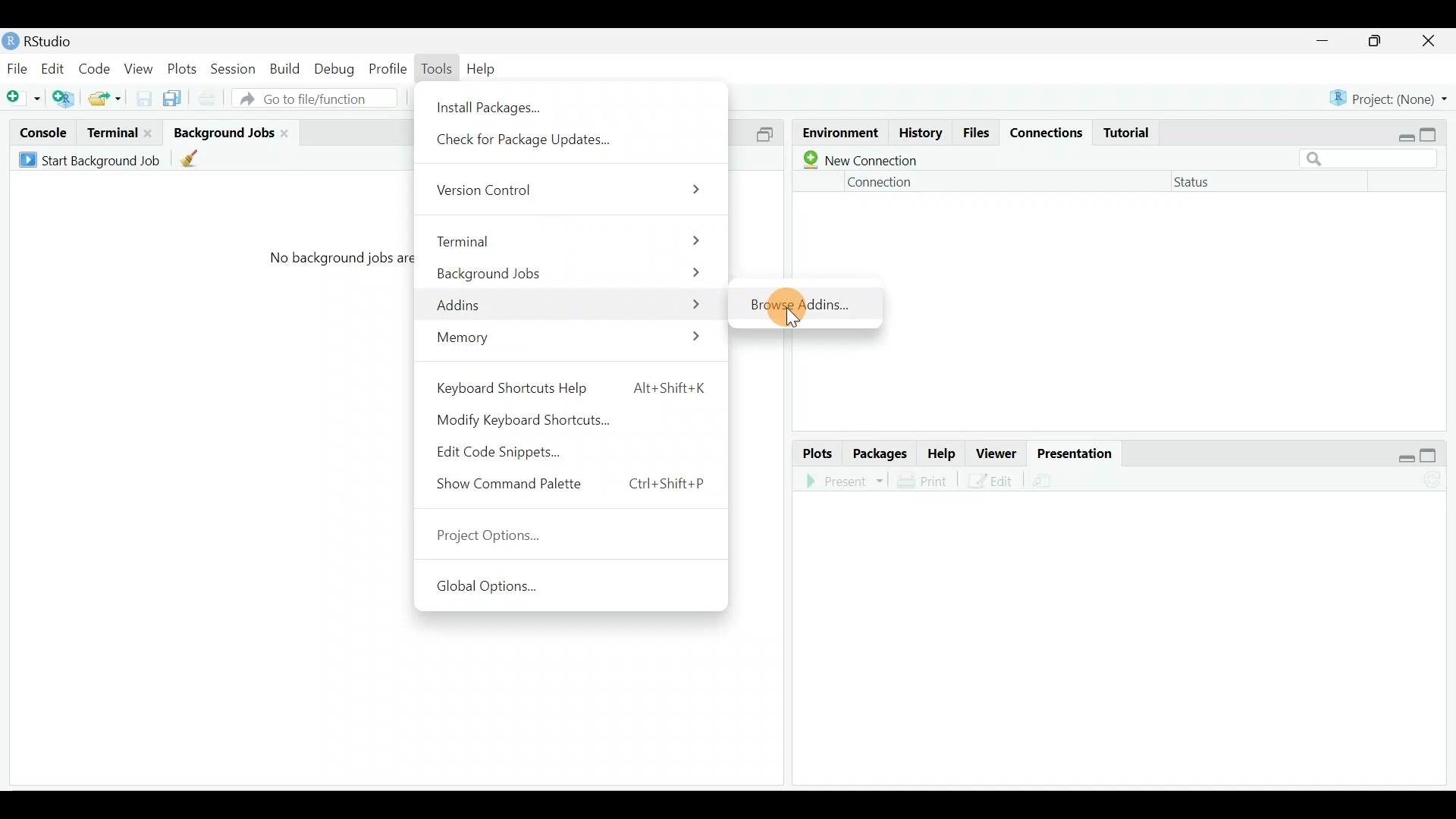 This screenshot has height=819, width=1456. What do you see at coordinates (841, 130) in the screenshot?
I see `Environment` at bounding box center [841, 130].